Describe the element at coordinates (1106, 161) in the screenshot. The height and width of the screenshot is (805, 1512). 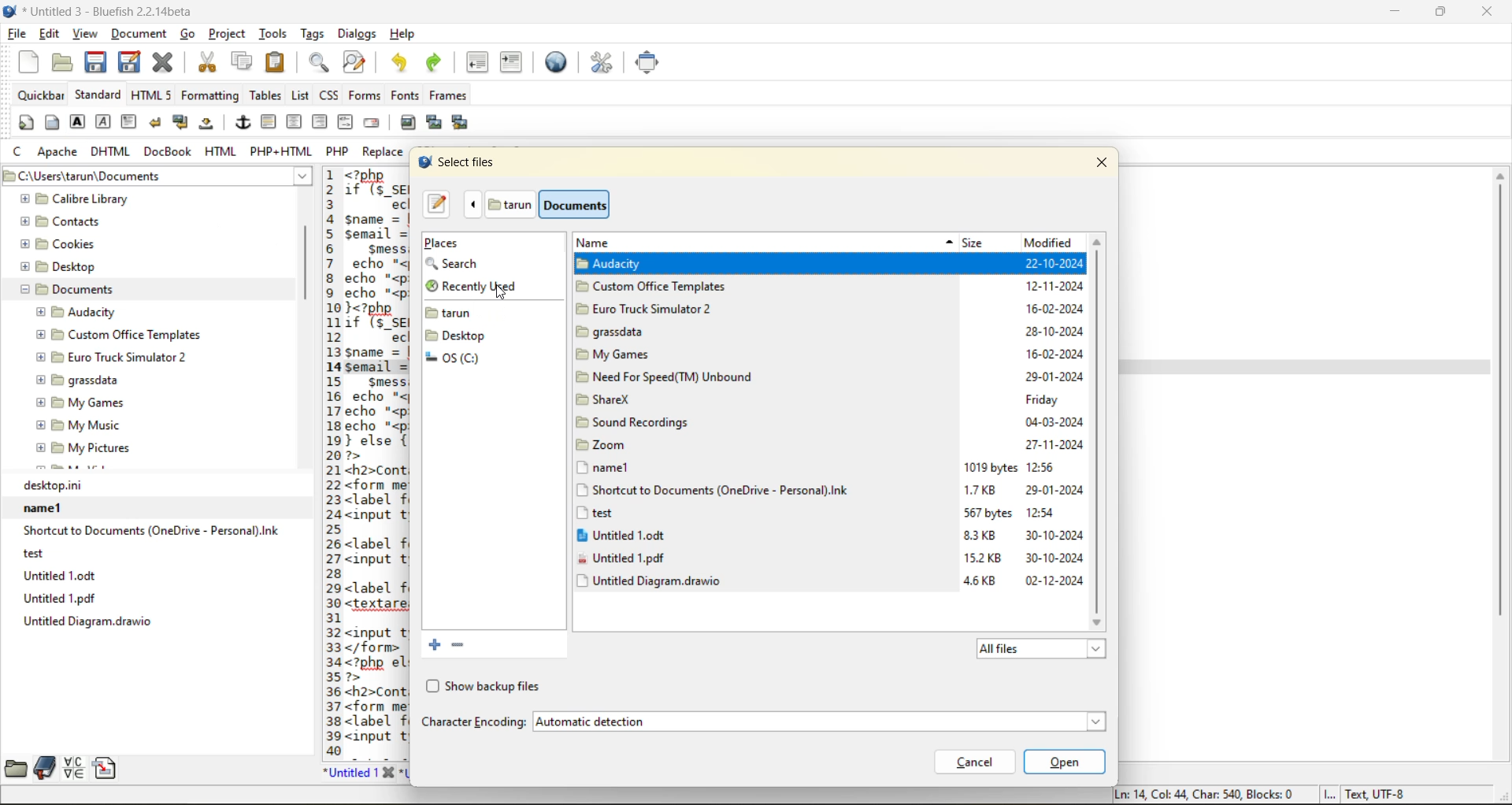
I see `close` at that location.